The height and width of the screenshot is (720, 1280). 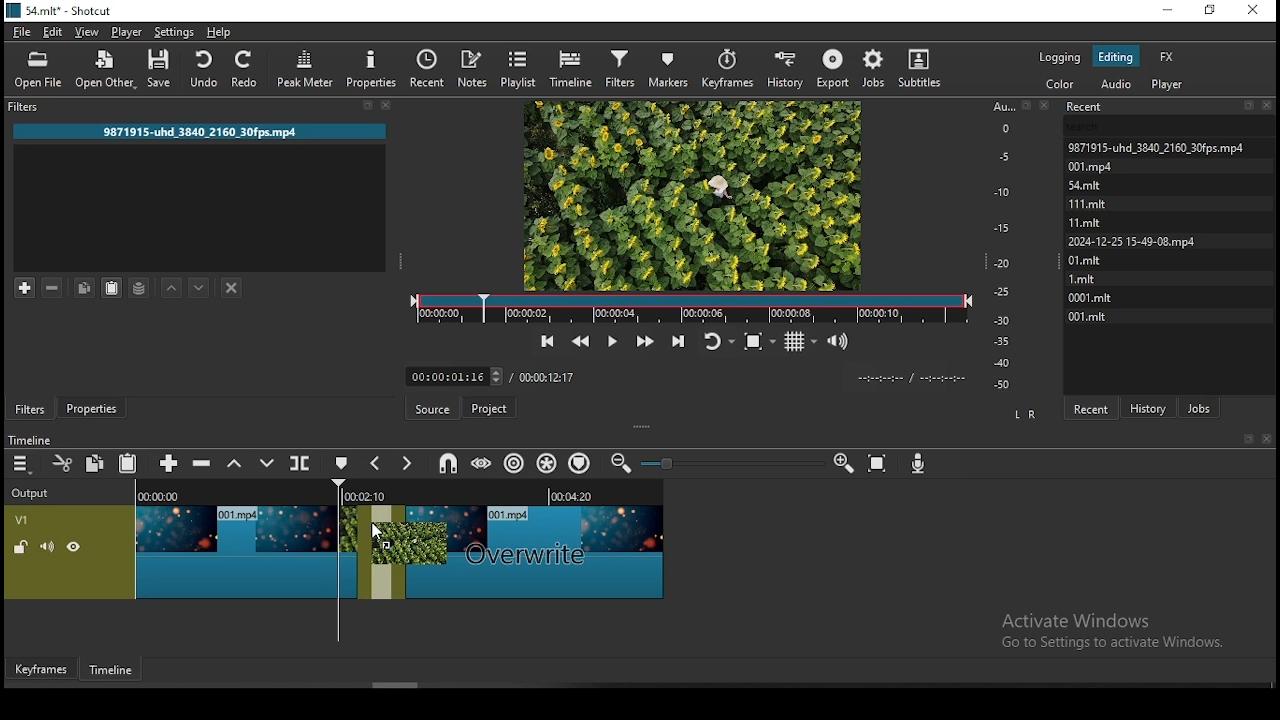 What do you see at coordinates (34, 493) in the screenshot?
I see `Output` at bounding box center [34, 493].